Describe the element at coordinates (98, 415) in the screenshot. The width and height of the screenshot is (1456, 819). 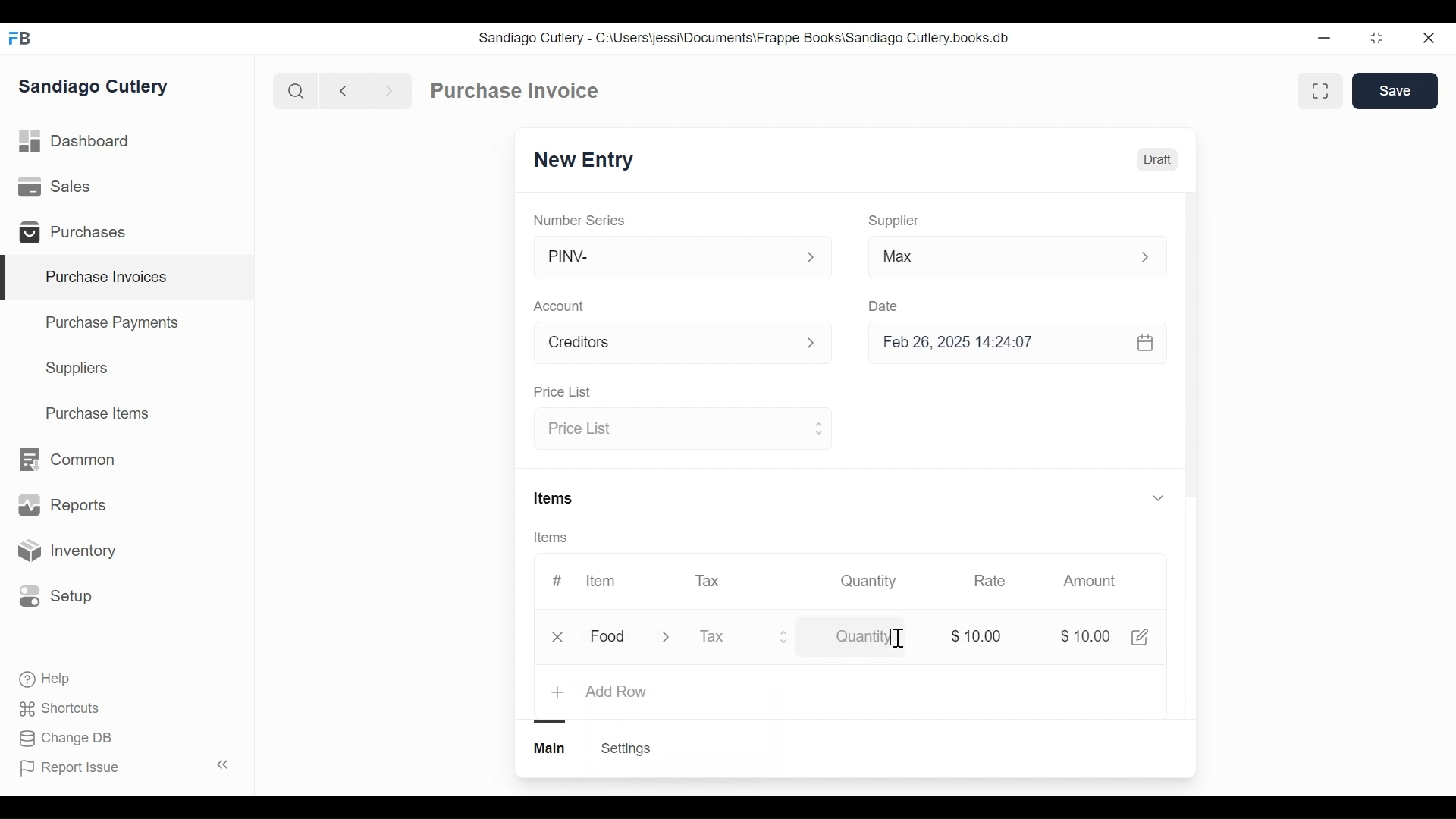
I see `Purchase Items` at that location.